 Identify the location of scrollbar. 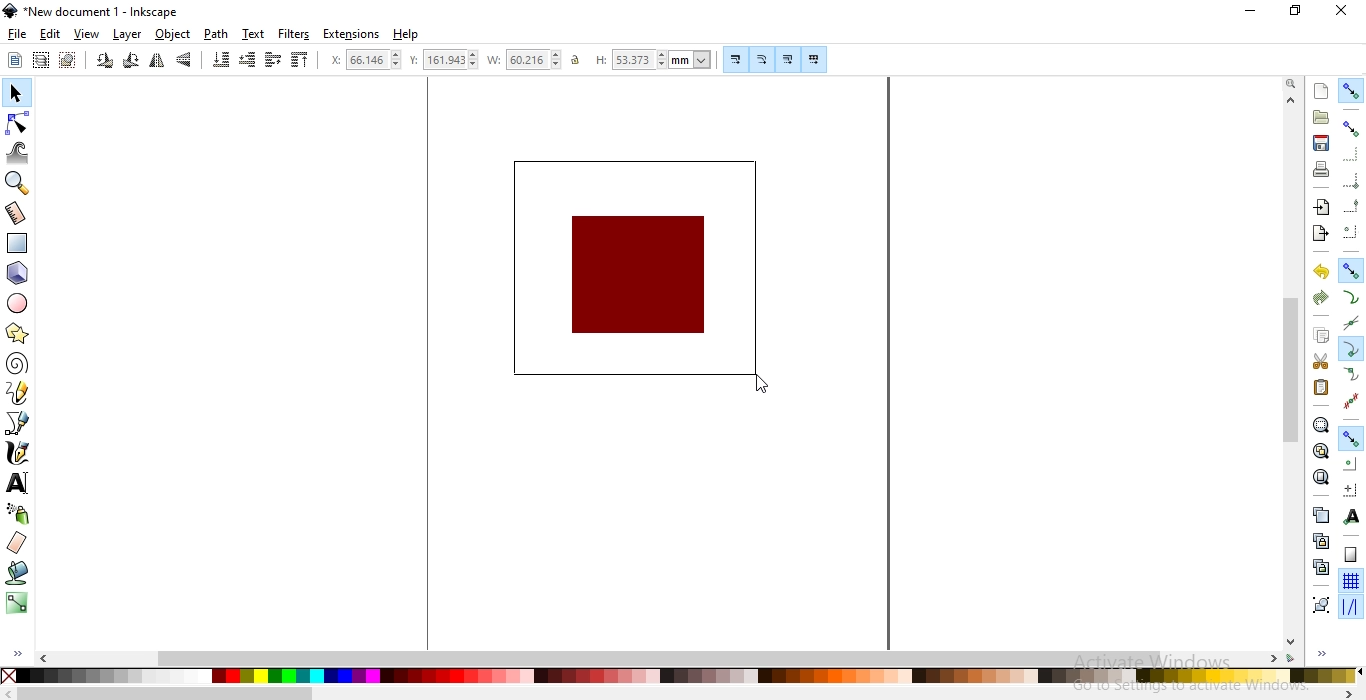
(1291, 368).